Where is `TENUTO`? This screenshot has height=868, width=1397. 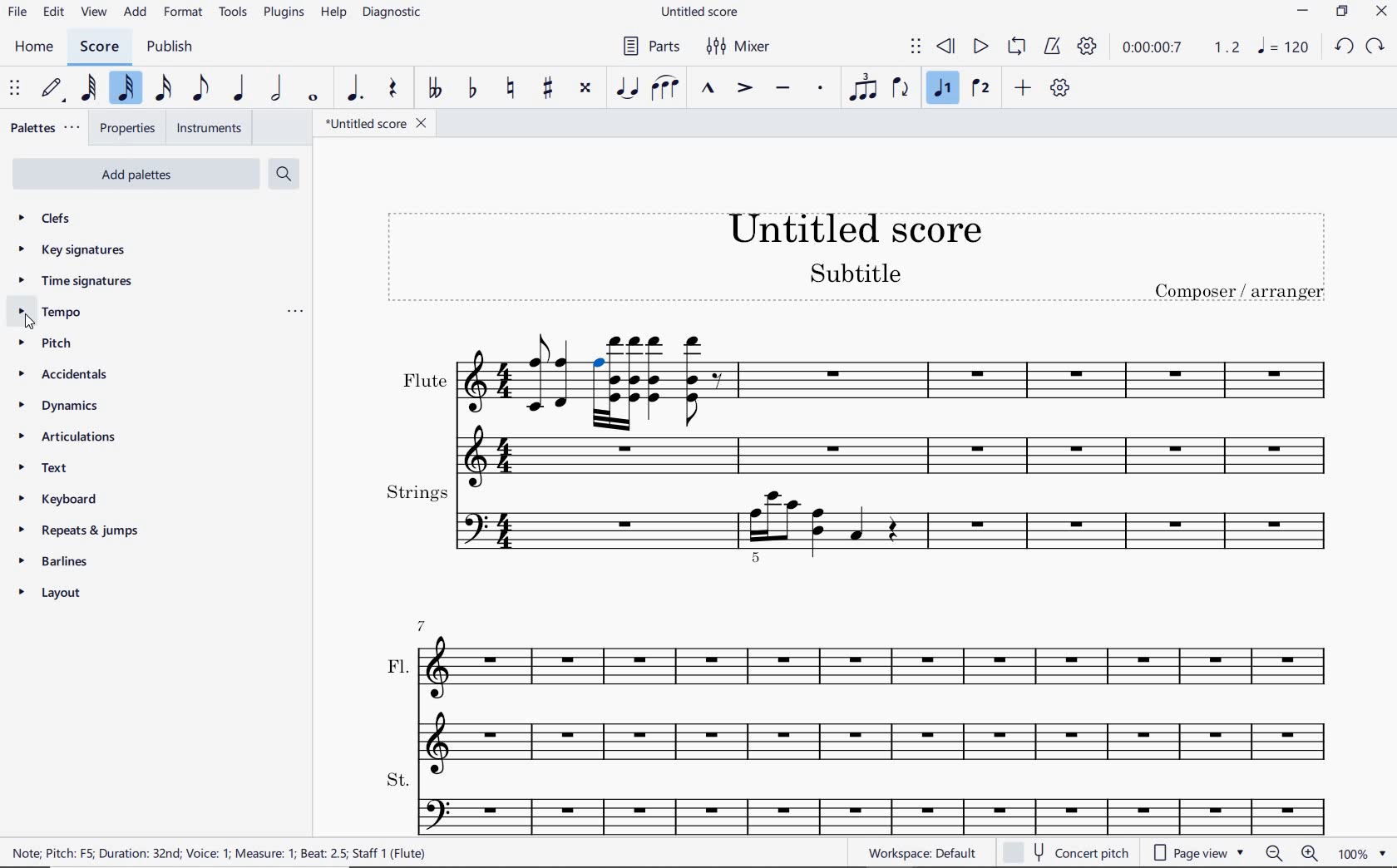
TENUTO is located at coordinates (785, 89).